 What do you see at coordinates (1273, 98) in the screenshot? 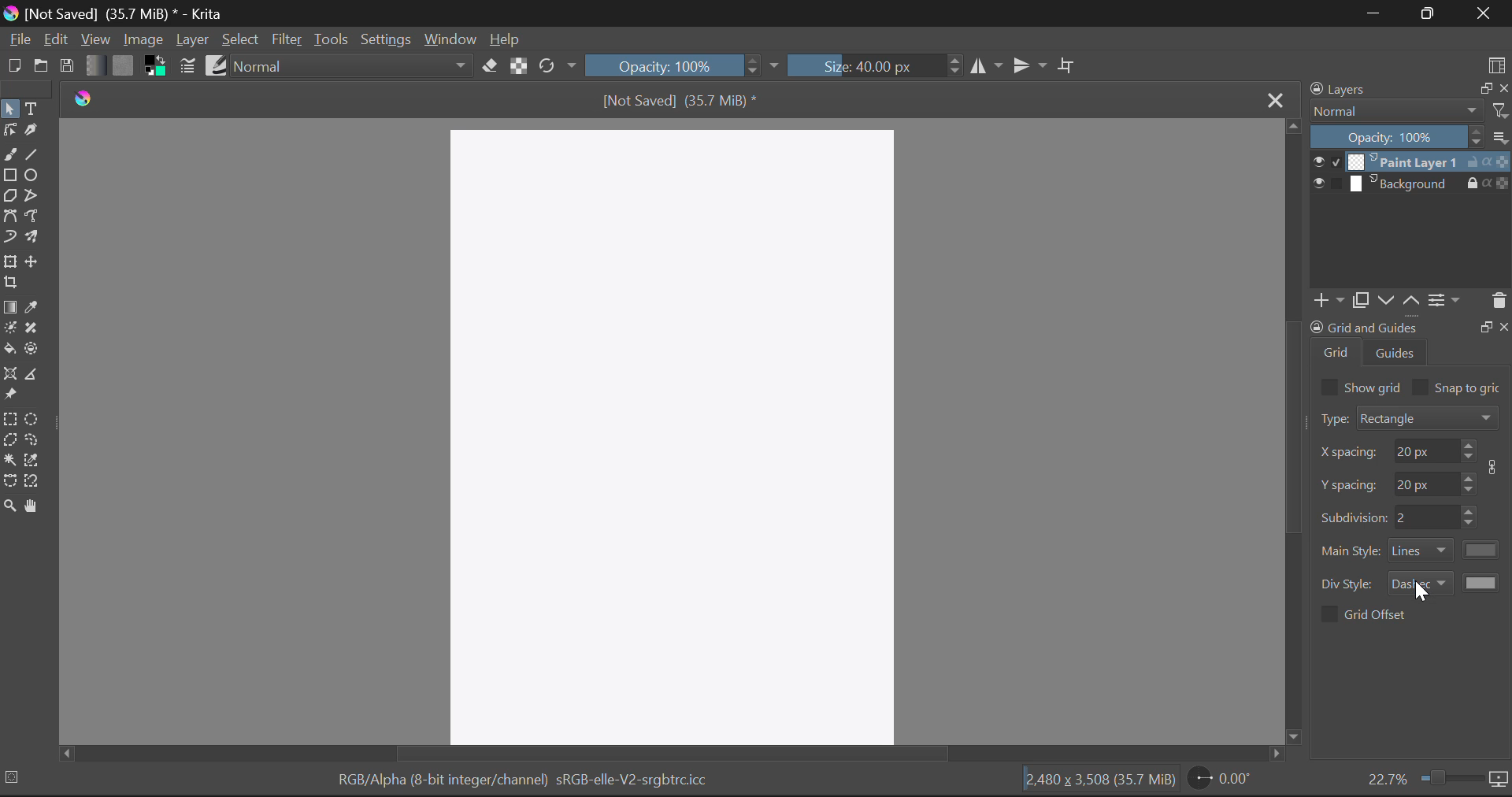
I see `Close` at bounding box center [1273, 98].